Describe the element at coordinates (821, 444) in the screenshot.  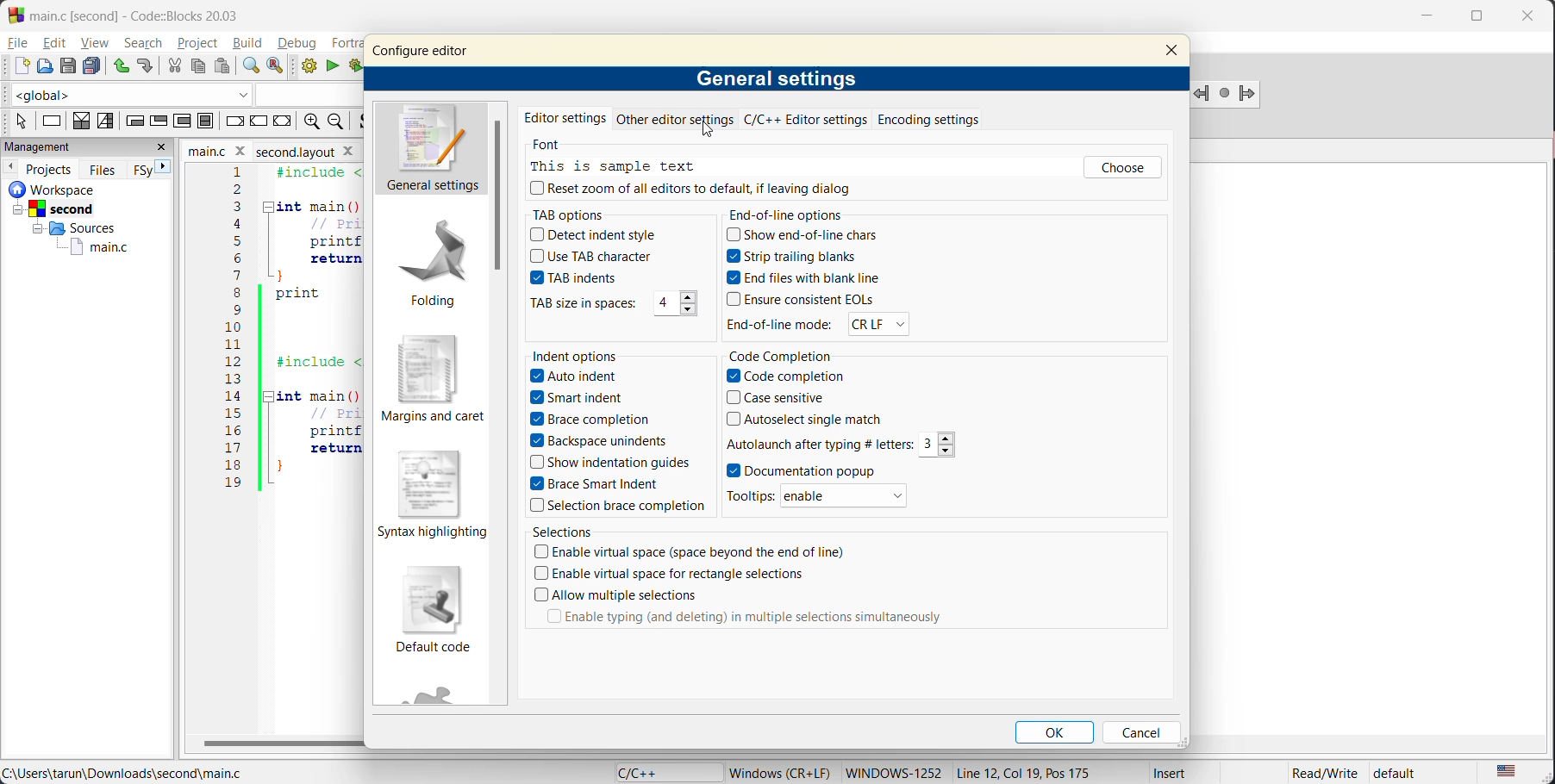
I see `Autolaunch after typing #letters` at that location.